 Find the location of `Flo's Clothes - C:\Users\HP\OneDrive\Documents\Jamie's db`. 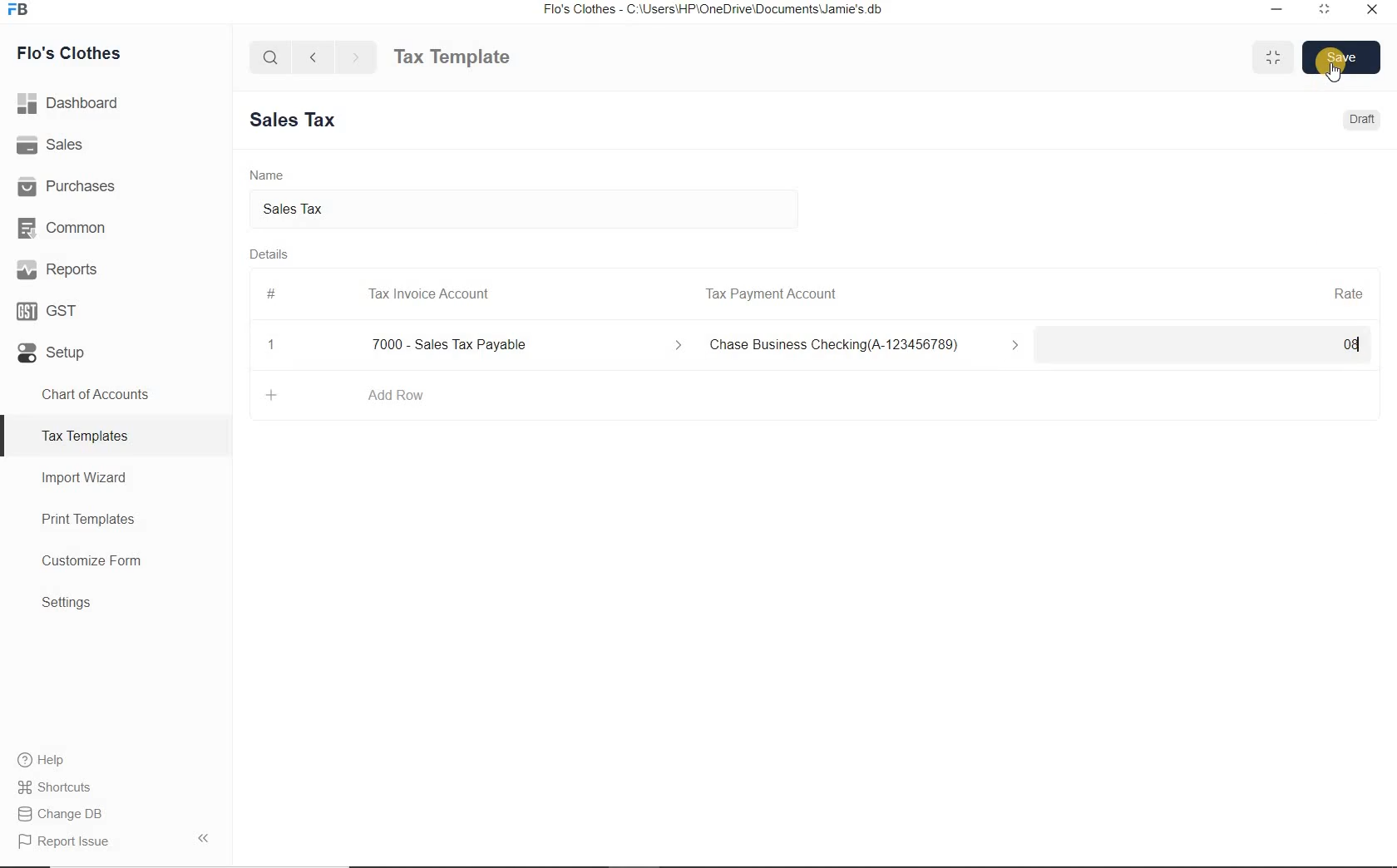

Flo's Clothes - C:\Users\HP\OneDrive\Documents\Jamie's db is located at coordinates (712, 9).